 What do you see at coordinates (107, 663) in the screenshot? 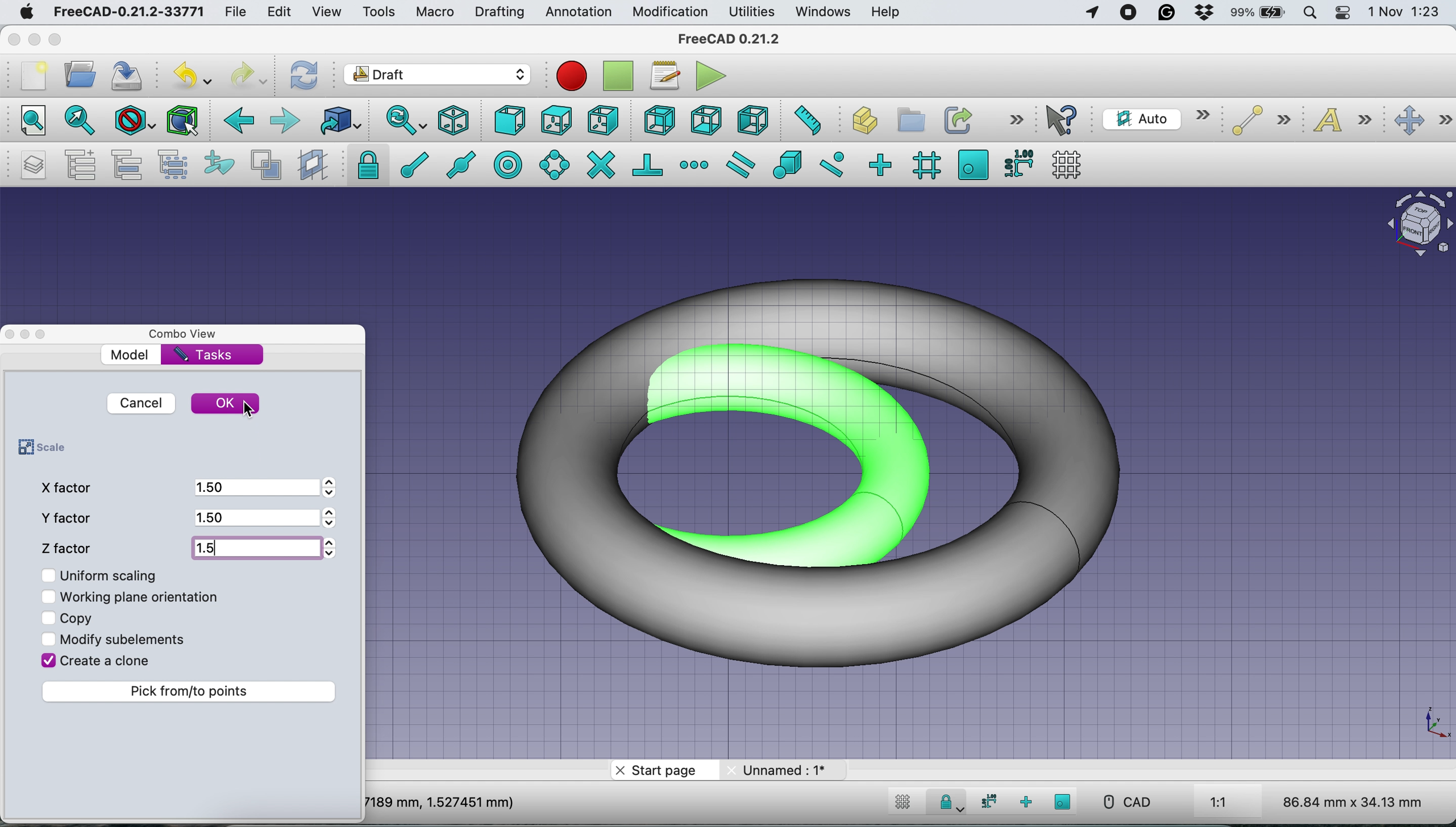
I see `create a clone` at bounding box center [107, 663].